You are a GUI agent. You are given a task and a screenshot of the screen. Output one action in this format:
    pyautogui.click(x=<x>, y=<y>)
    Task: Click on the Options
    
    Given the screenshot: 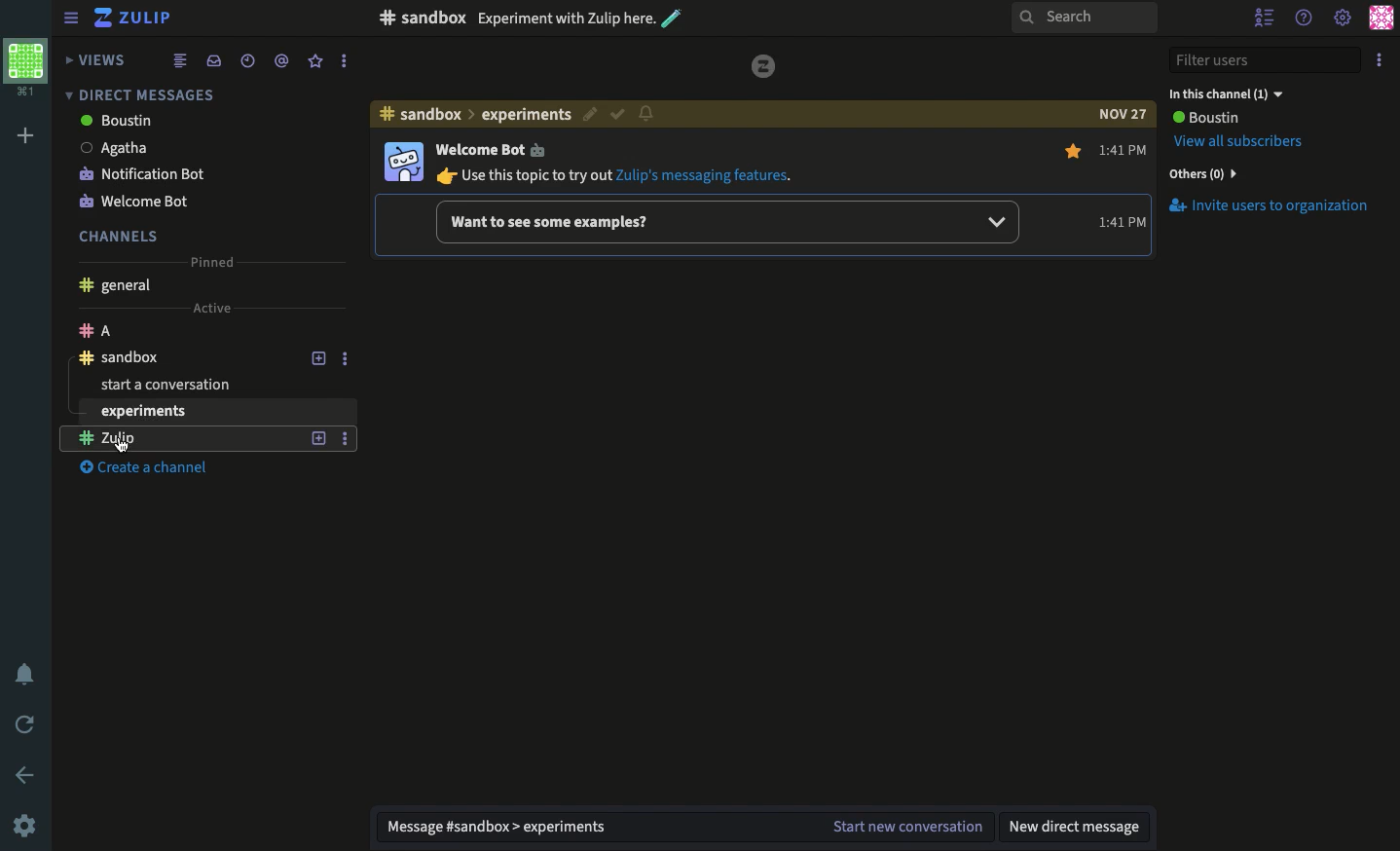 What is the action you would take?
    pyautogui.click(x=345, y=356)
    